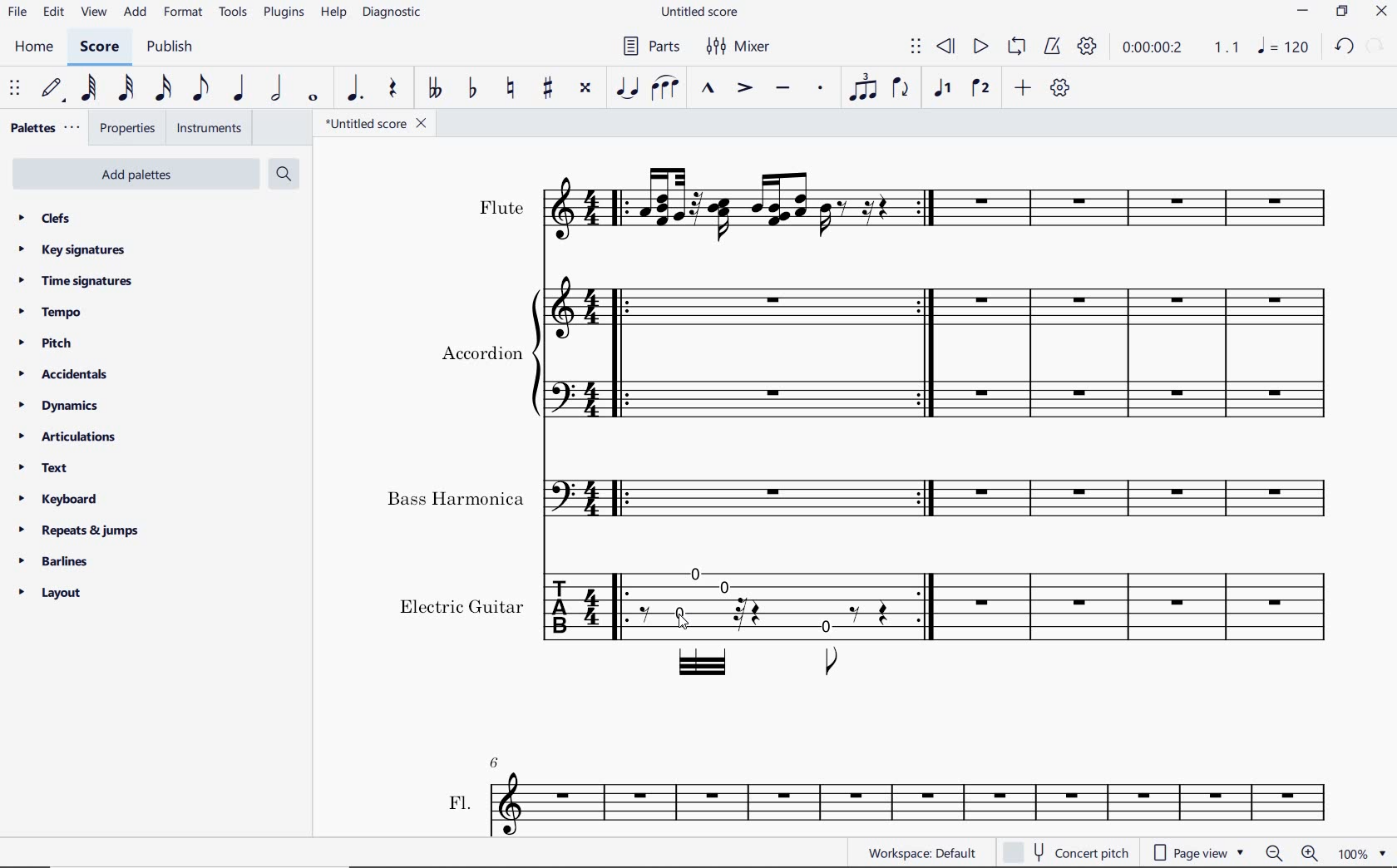 The height and width of the screenshot is (868, 1397). What do you see at coordinates (1303, 12) in the screenshot?
I see `minimize` at bounding box center [1303, 12].